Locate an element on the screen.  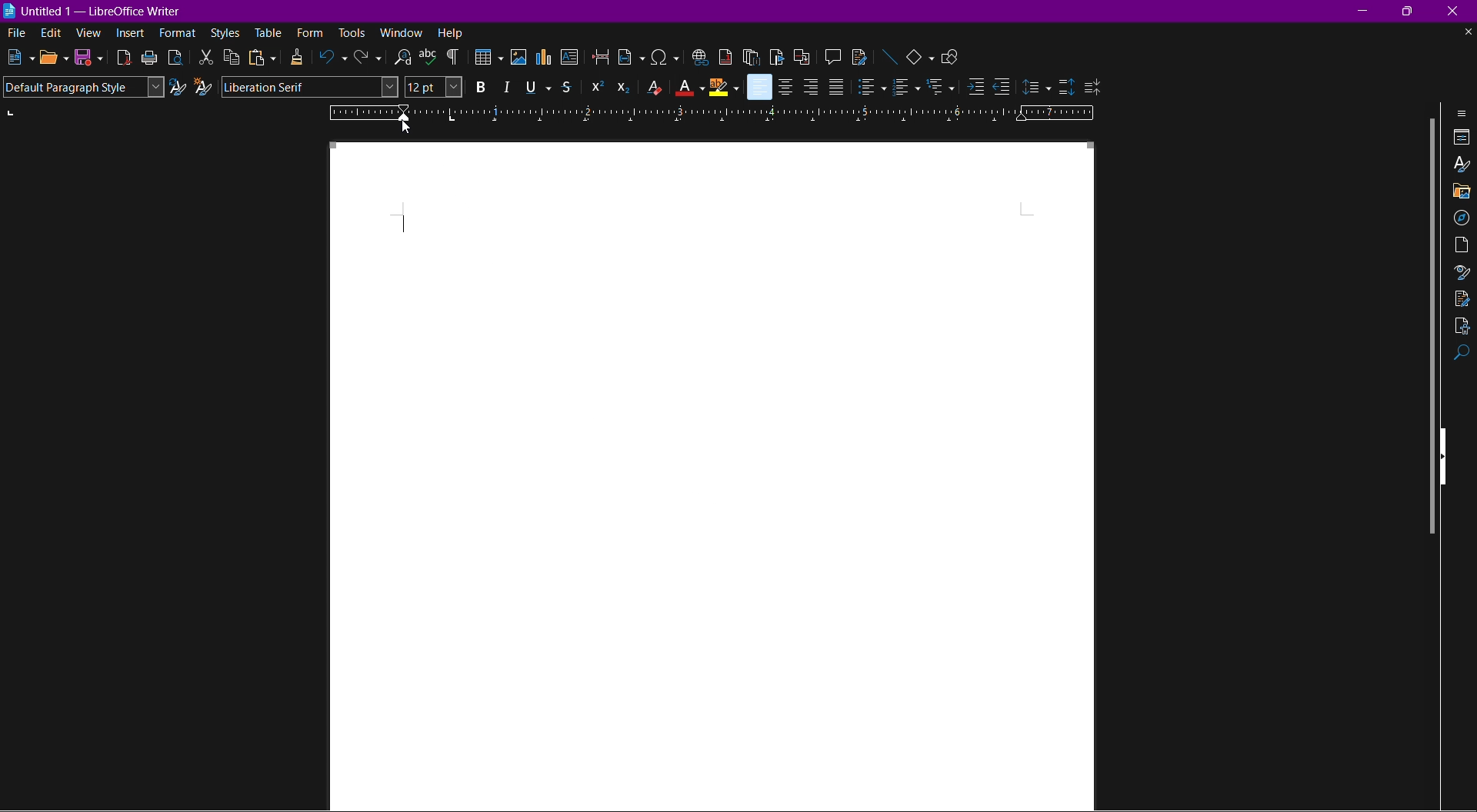
Update Style is located at coordinates (178, 88).